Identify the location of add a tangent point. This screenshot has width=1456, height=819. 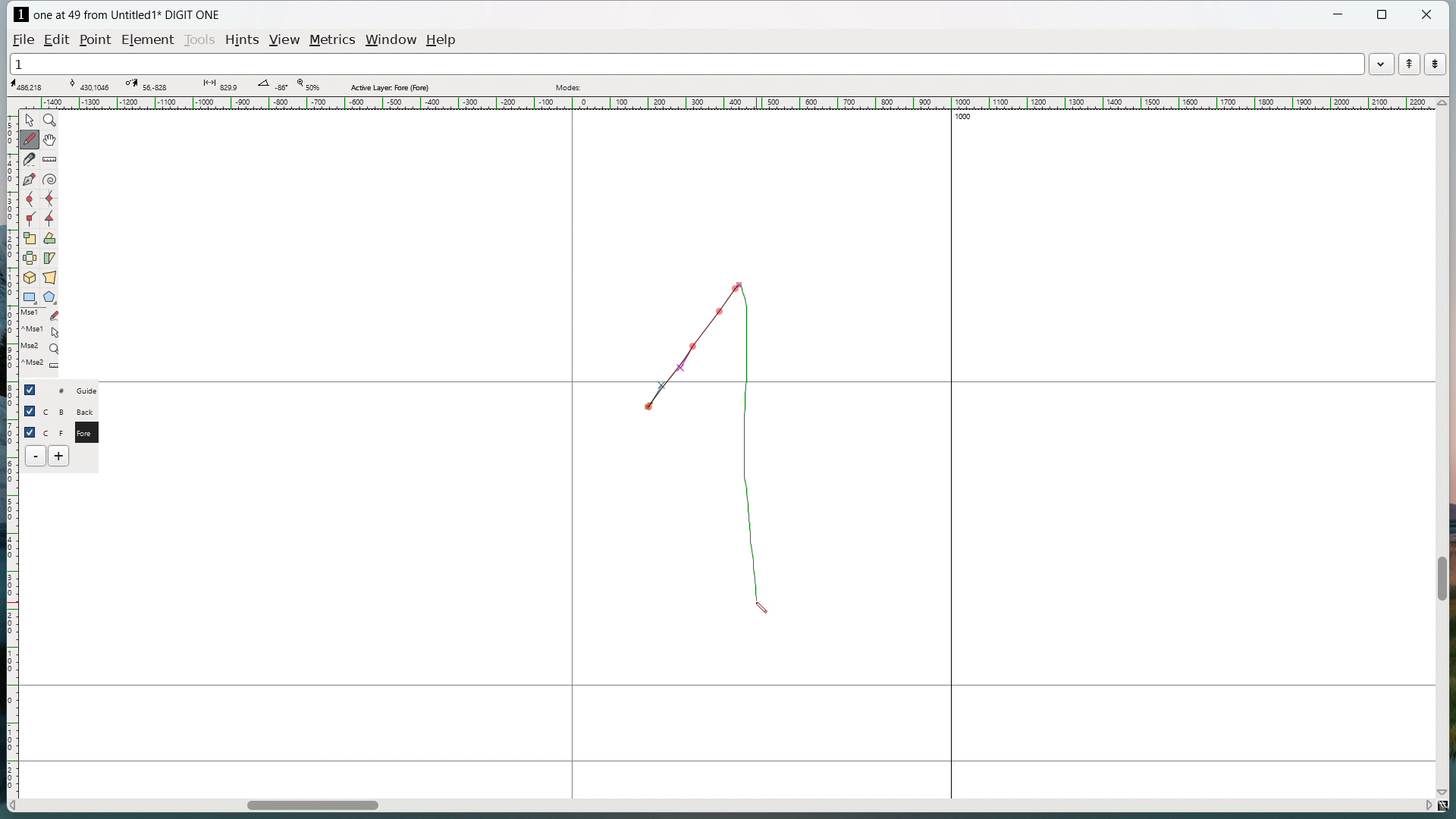
(49, 218).